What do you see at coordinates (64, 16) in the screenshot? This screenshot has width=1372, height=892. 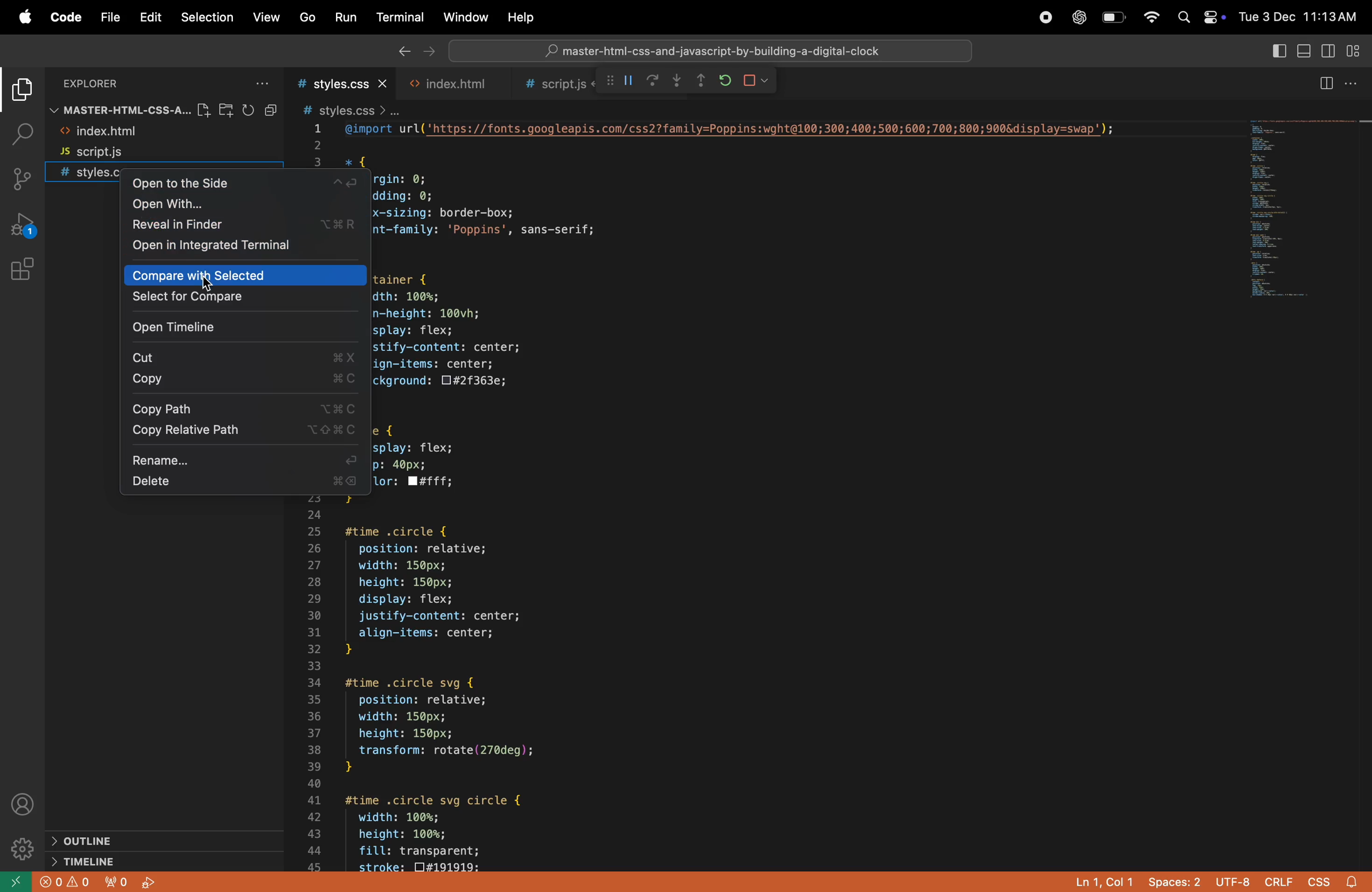 I see `code` at bounding box center [64, 16].